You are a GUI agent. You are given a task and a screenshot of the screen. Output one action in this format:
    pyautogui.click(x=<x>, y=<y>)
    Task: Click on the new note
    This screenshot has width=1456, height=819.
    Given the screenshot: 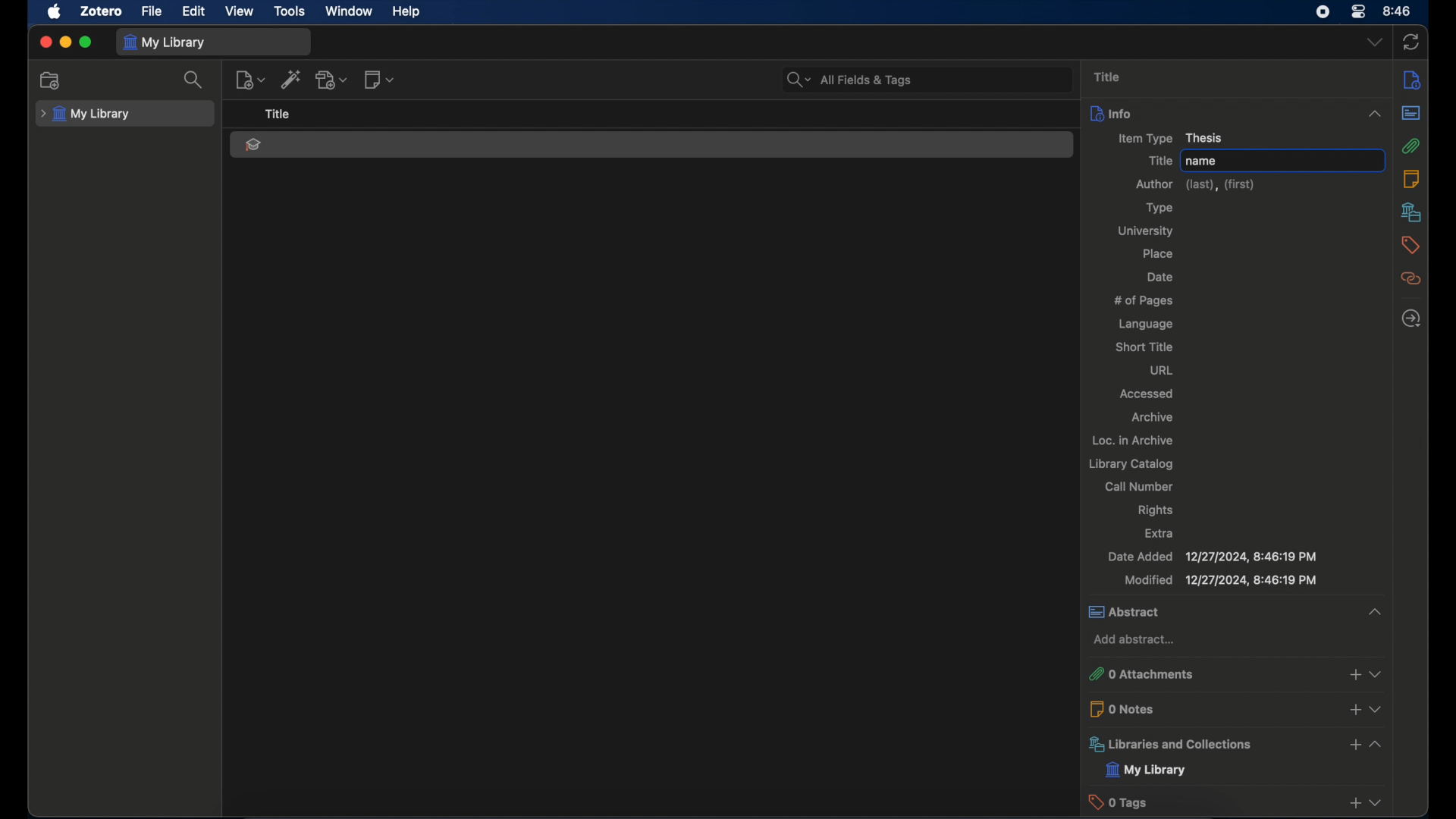 What is the action you would take?
    pyautogui.click(x=379, y=80)
    